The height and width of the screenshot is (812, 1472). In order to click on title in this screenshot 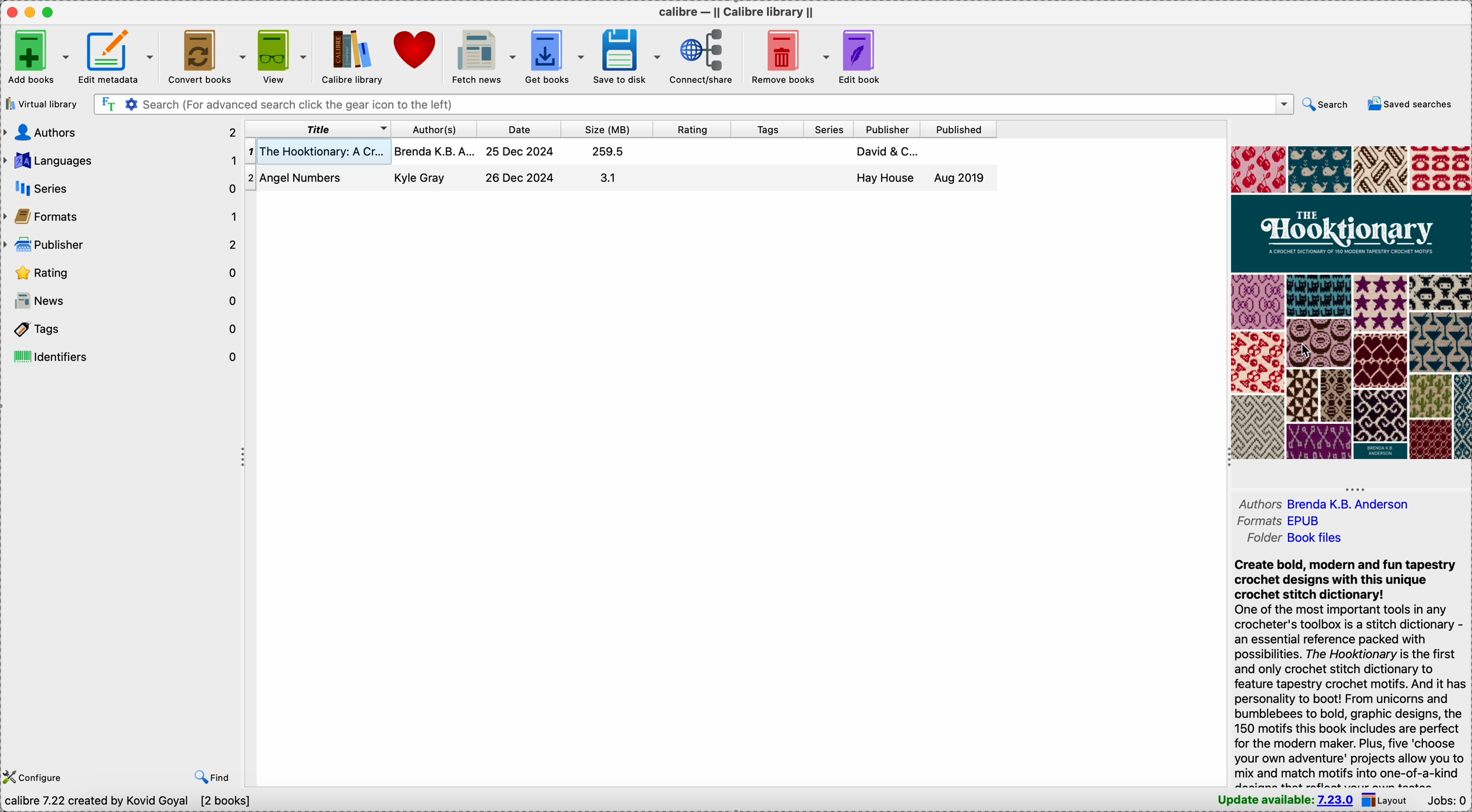, I will do `click(322, 128)`.